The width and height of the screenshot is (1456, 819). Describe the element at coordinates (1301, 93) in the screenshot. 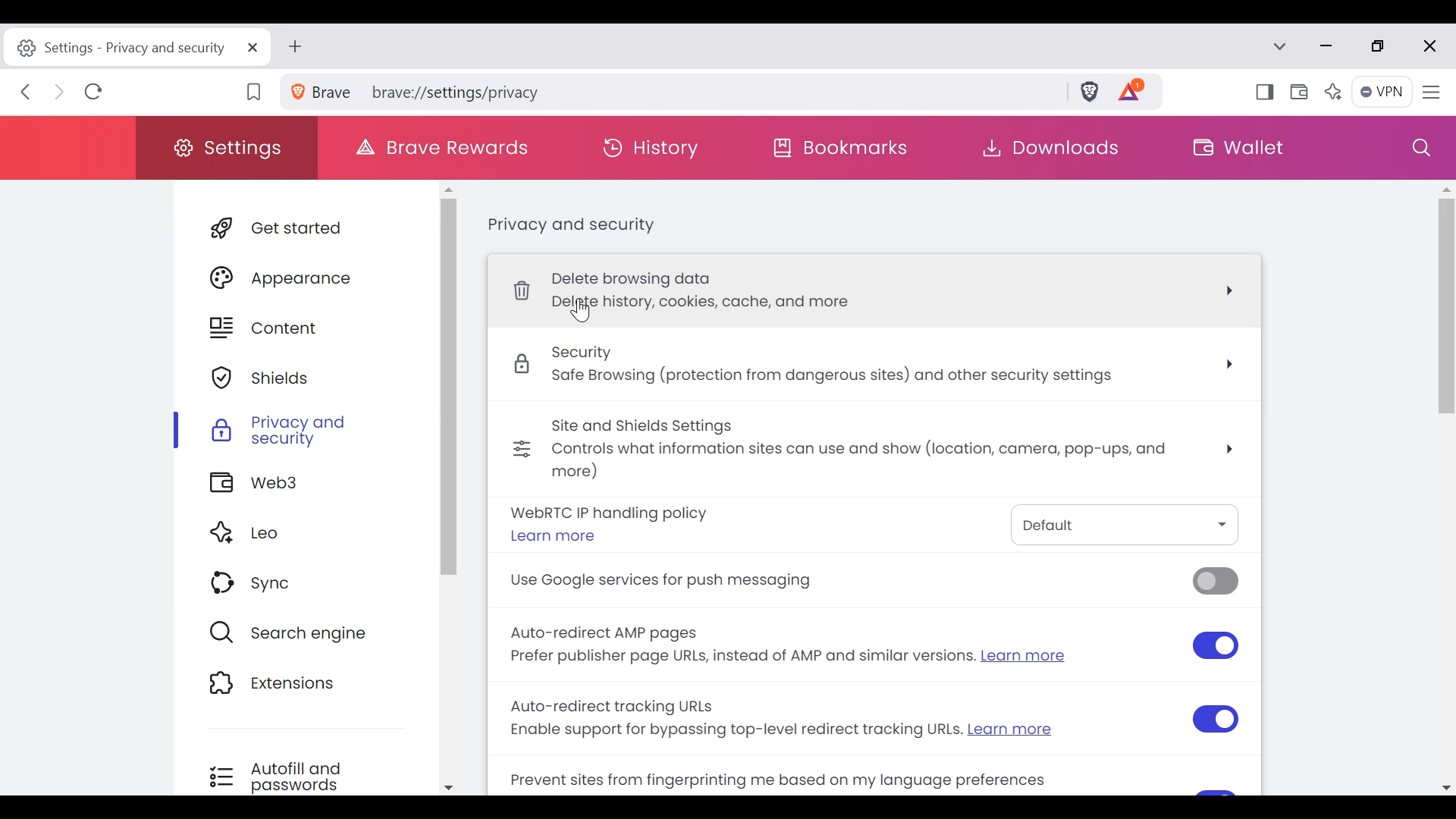

I see `Wallet` at that location.